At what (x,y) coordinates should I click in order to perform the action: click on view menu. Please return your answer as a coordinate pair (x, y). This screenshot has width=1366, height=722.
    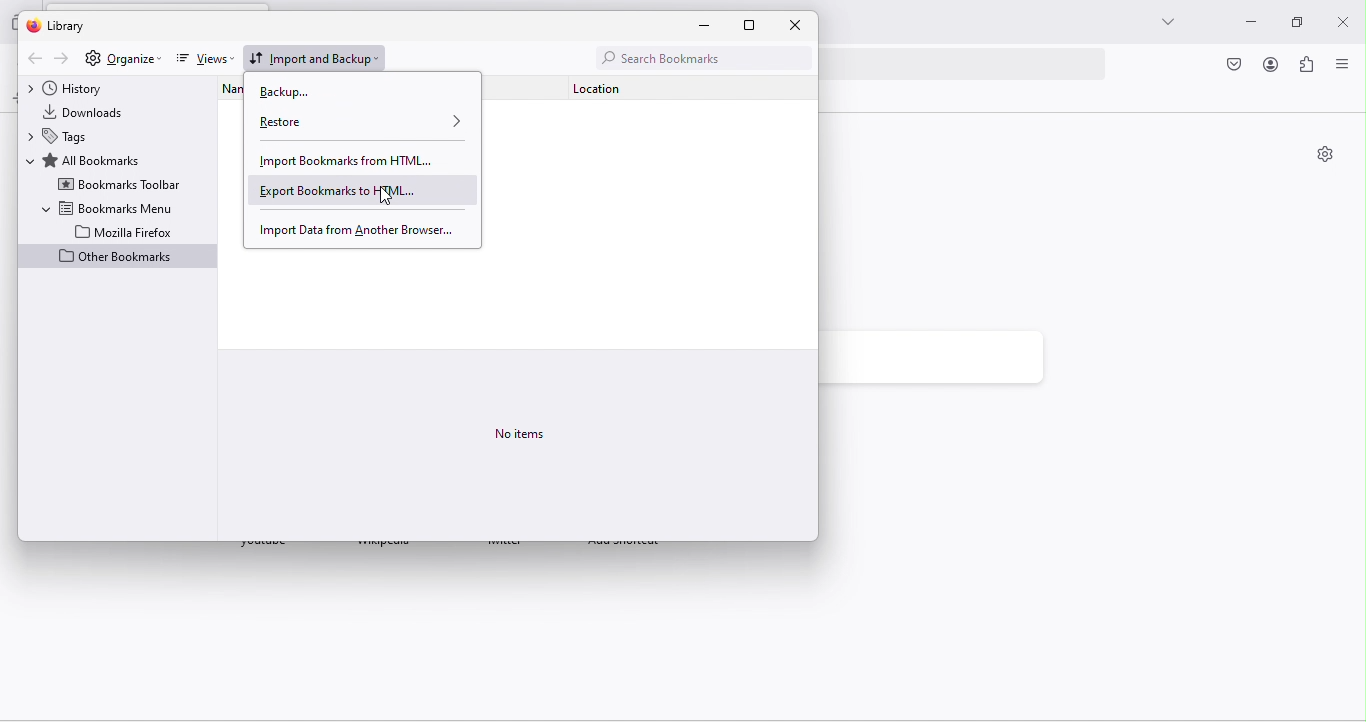
    Looking at the image, I should click on (1341, 67).